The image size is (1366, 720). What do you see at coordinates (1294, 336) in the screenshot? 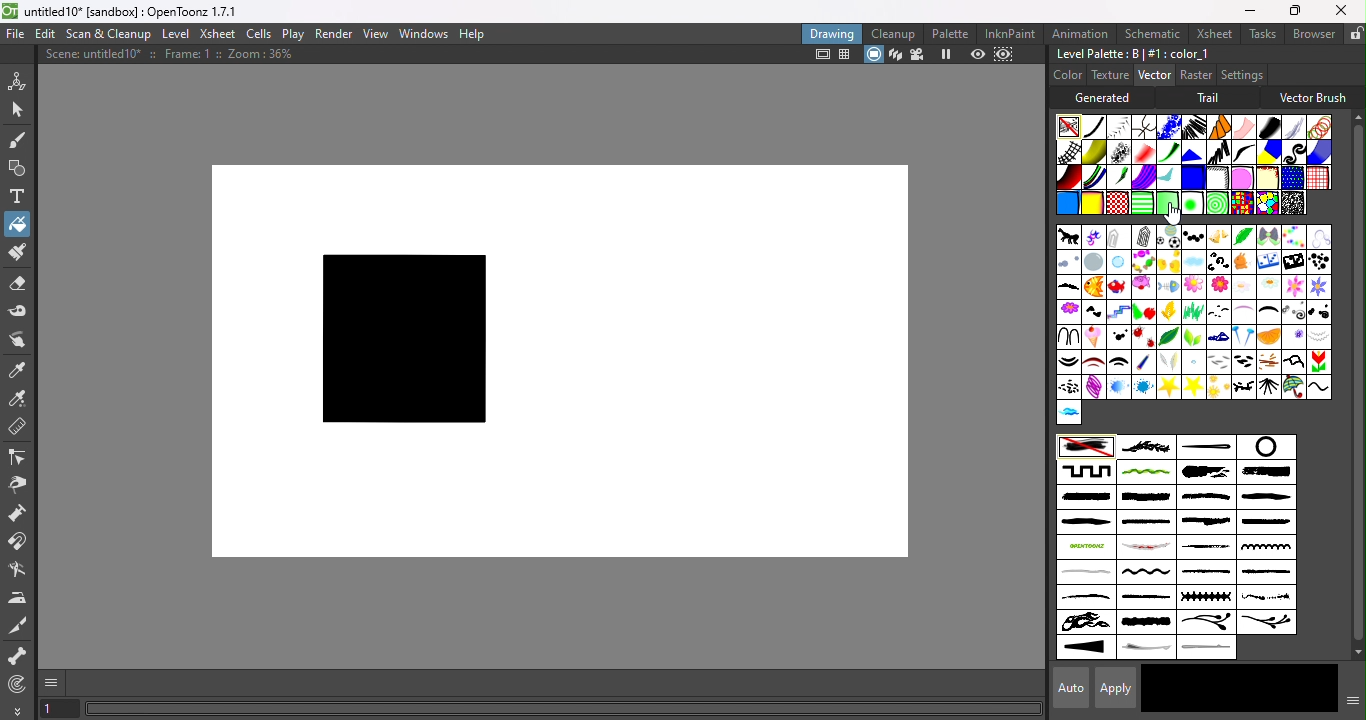
I see `Pansee` at bounding box center [1294, 336].